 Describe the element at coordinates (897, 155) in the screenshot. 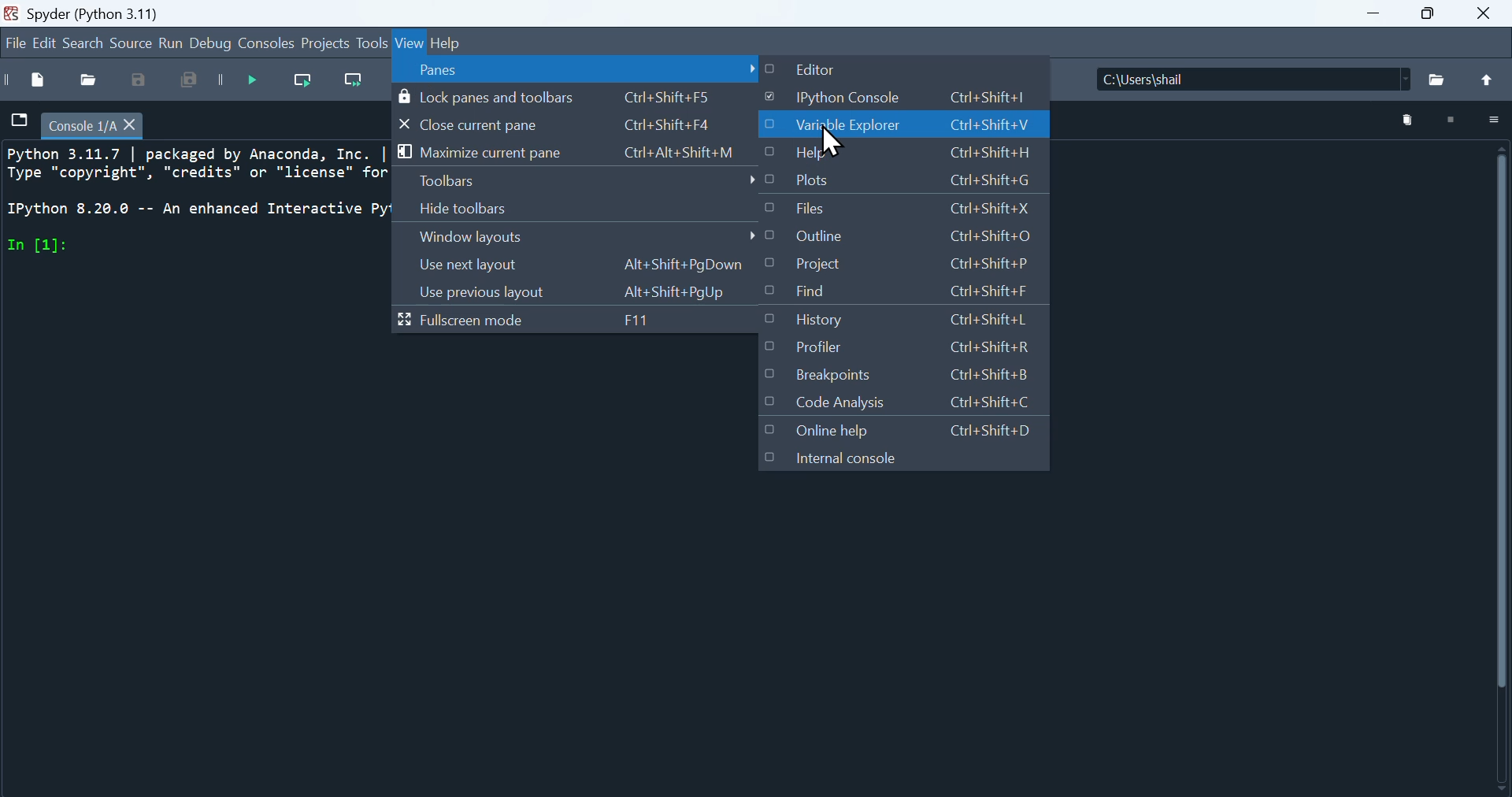

I see `help` at that location.